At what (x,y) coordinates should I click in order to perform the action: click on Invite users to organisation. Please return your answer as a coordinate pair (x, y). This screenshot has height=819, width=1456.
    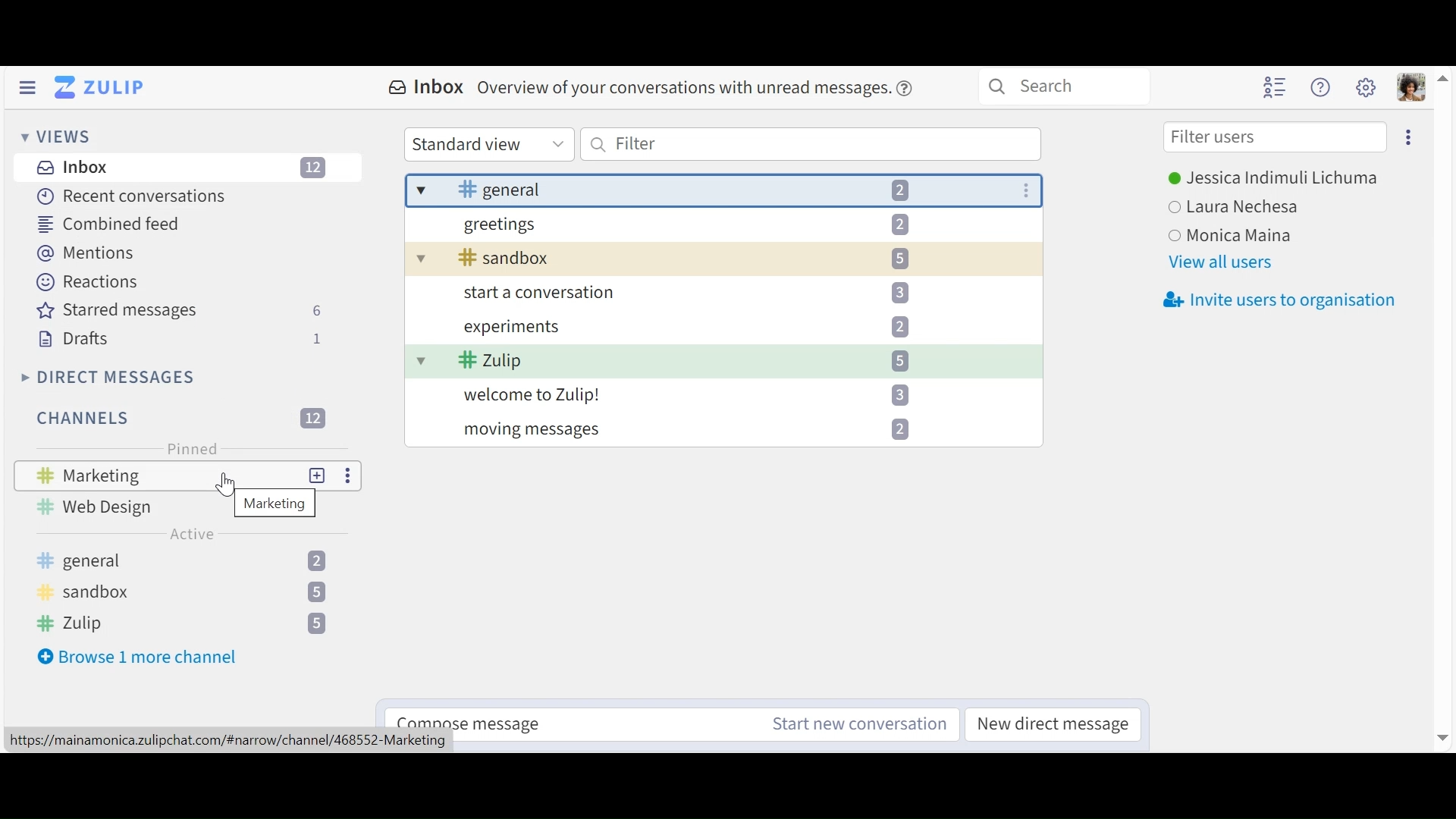
    Looking at the image, I should click on (1282, 298).